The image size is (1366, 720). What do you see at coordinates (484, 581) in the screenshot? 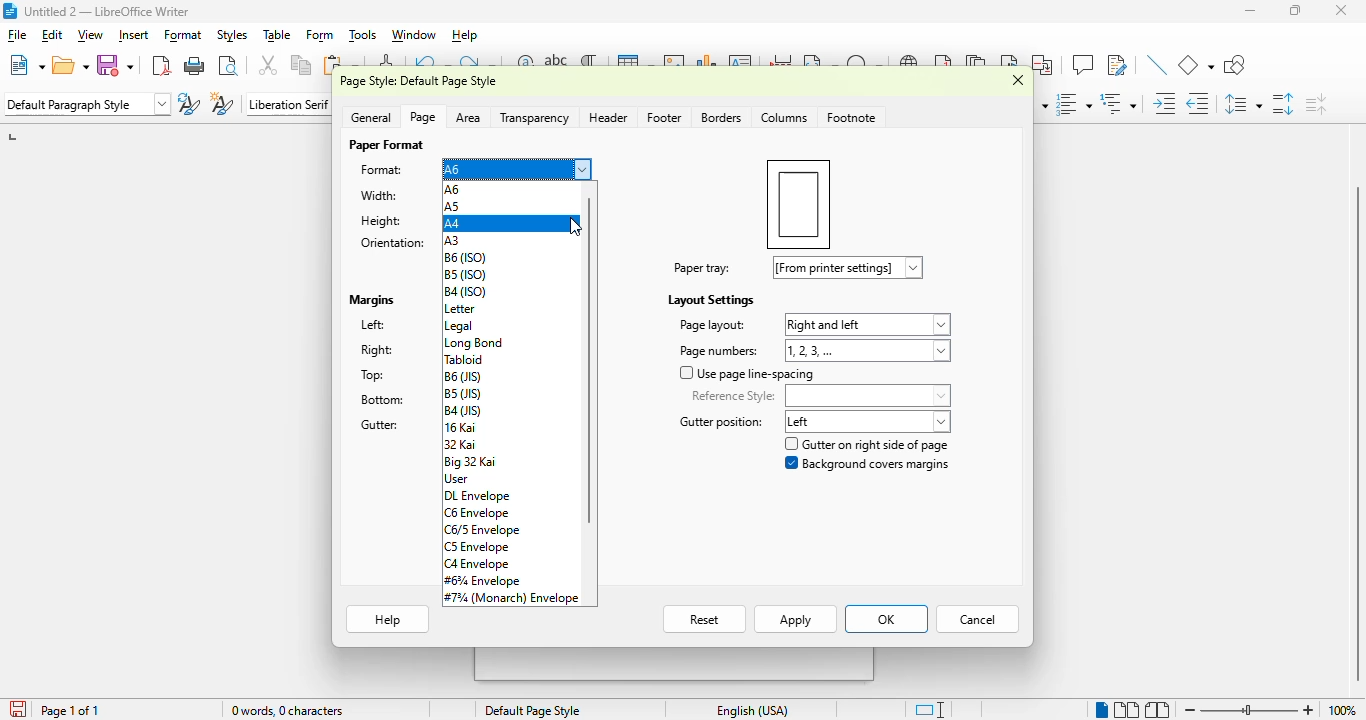
I see `#6¾ envelope` at bounding box center [484, 581].